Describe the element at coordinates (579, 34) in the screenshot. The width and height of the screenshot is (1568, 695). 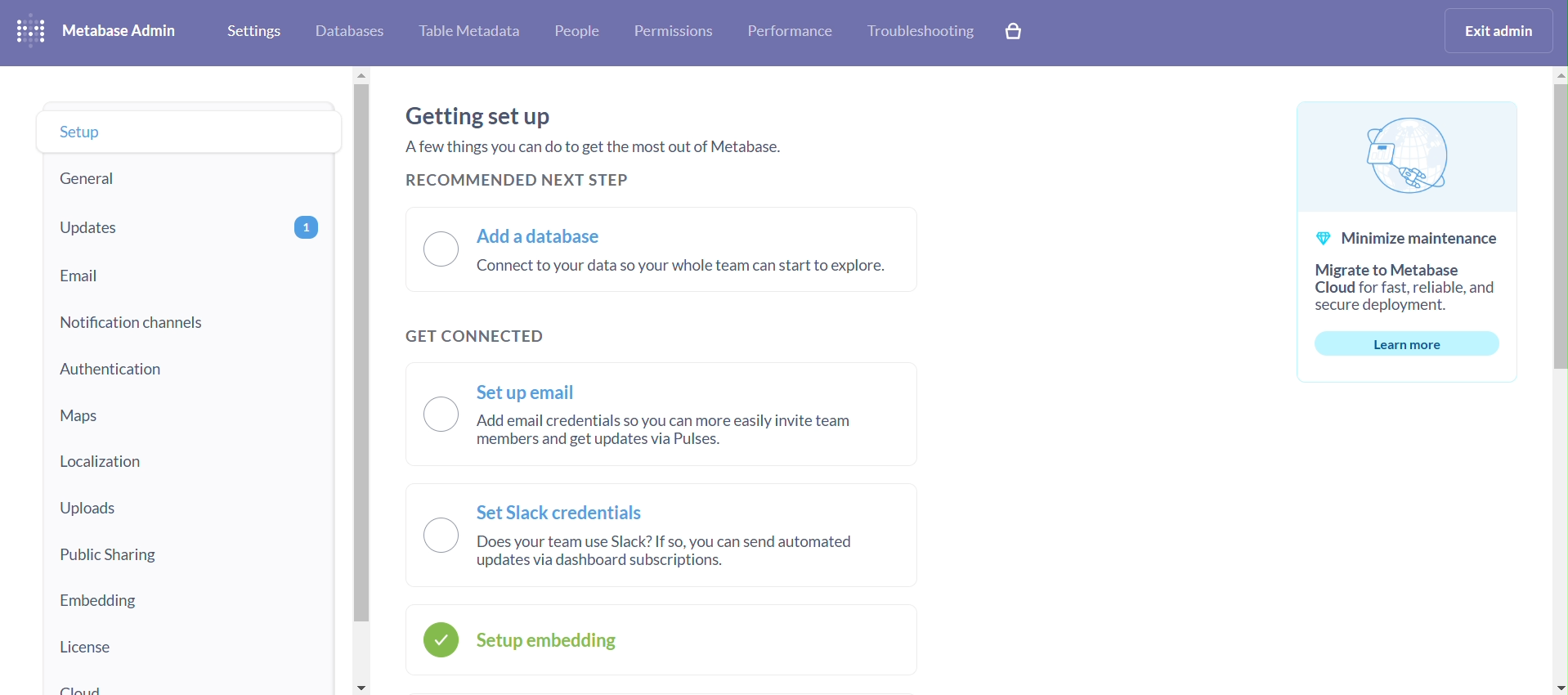
I see `people` at that location.